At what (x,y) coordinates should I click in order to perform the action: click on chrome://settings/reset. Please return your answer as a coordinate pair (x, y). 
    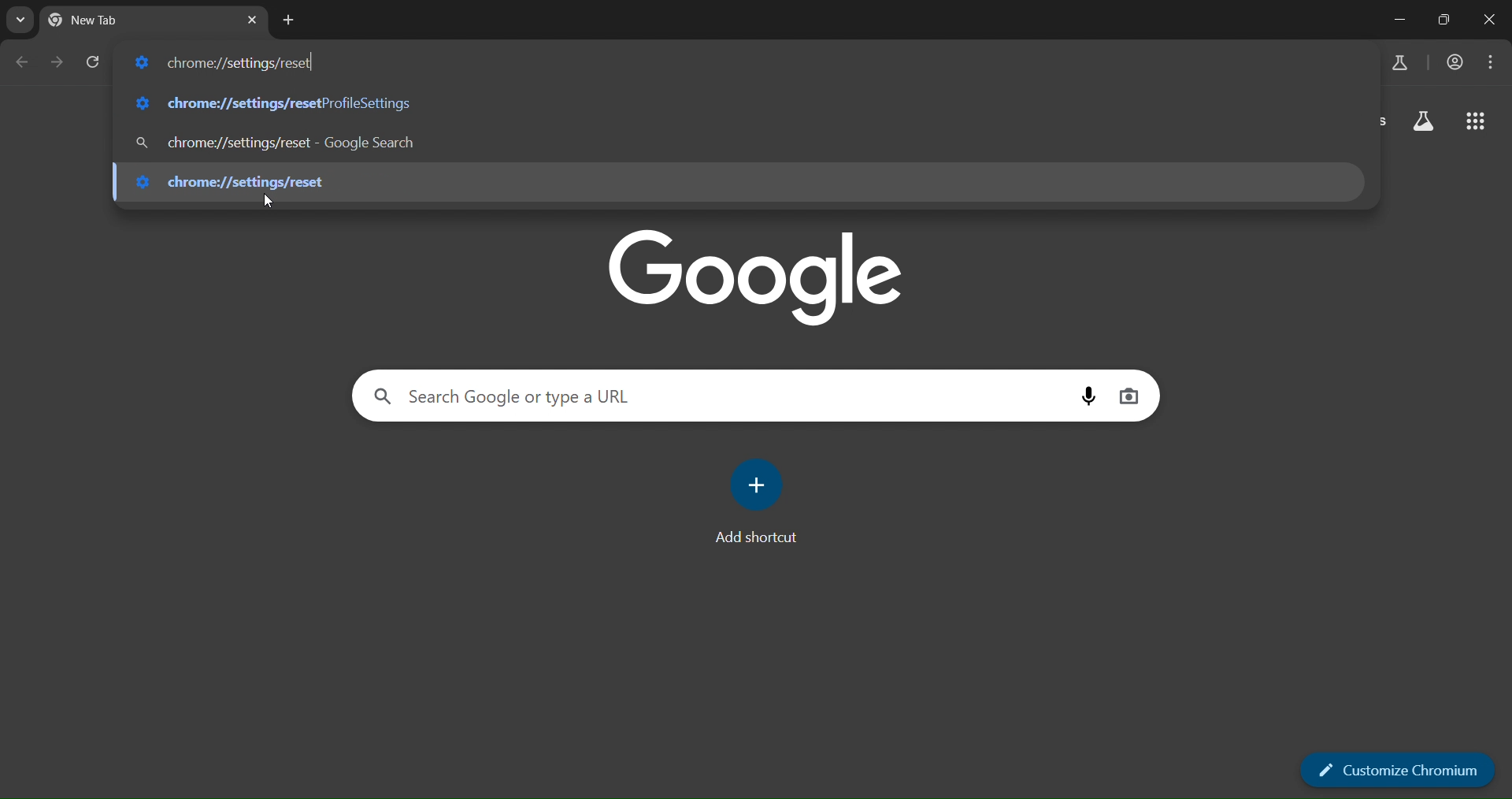
    Looking at the image, I should click on (246, 179).